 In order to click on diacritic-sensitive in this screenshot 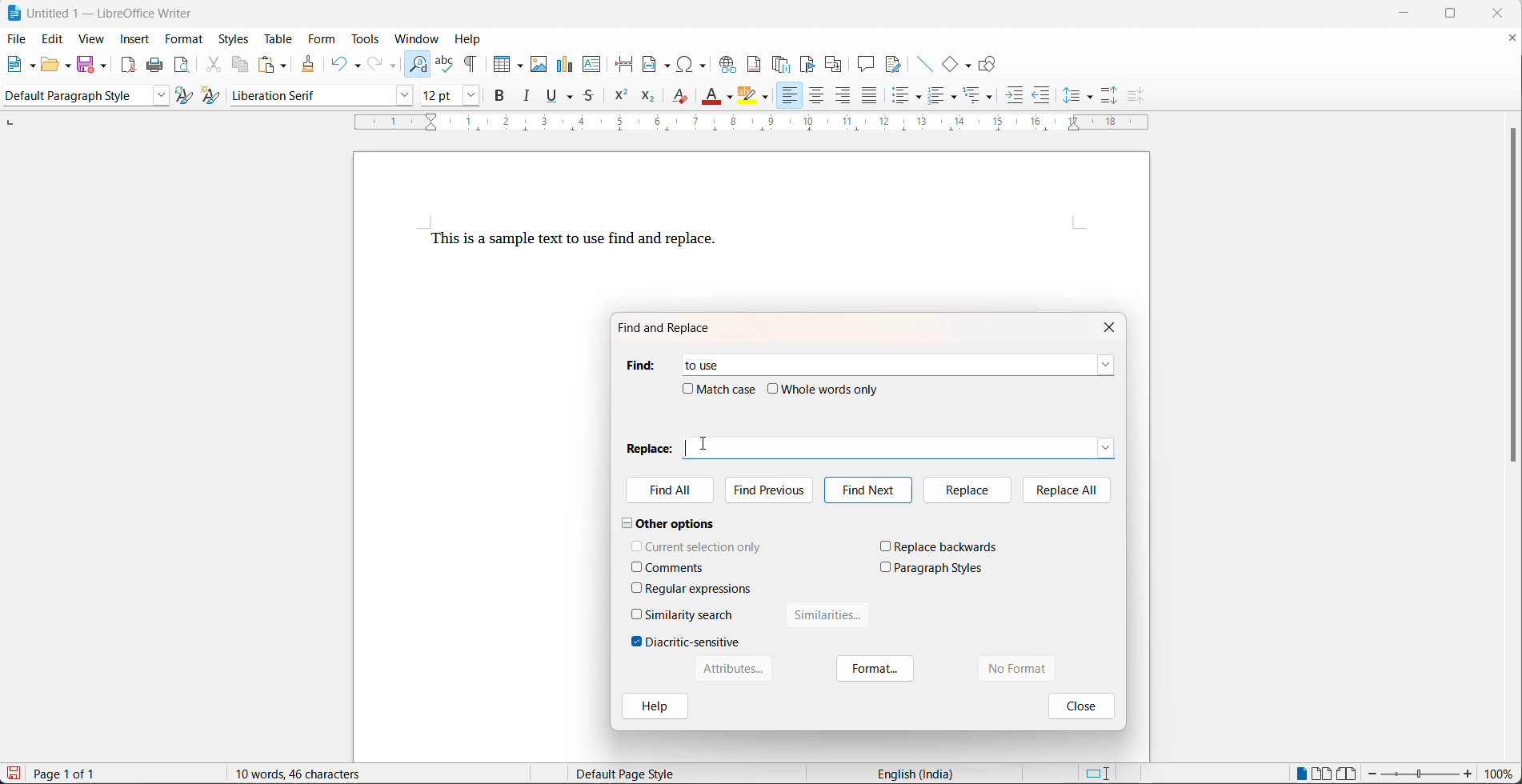, I will do `click(693, 642)`.